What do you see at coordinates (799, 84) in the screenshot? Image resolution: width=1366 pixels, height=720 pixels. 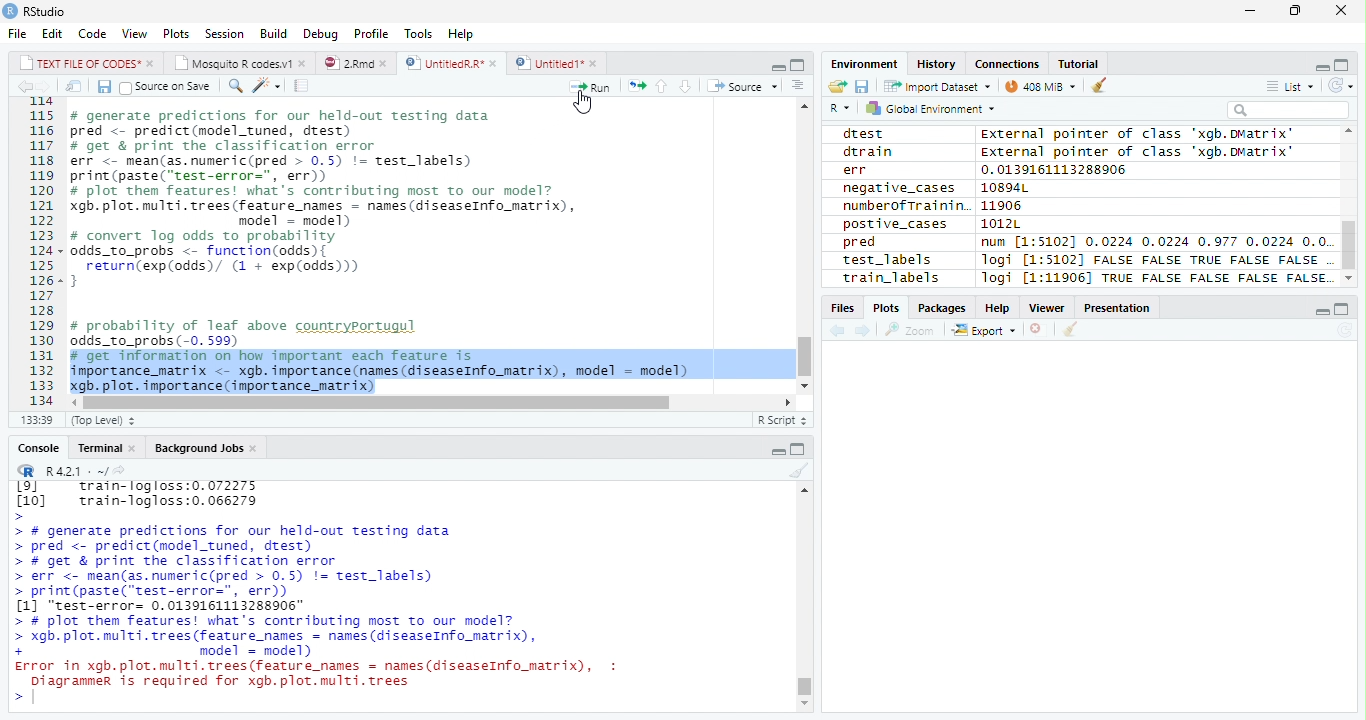 I see `Show Document Outline` at bounding box center [799, 84].